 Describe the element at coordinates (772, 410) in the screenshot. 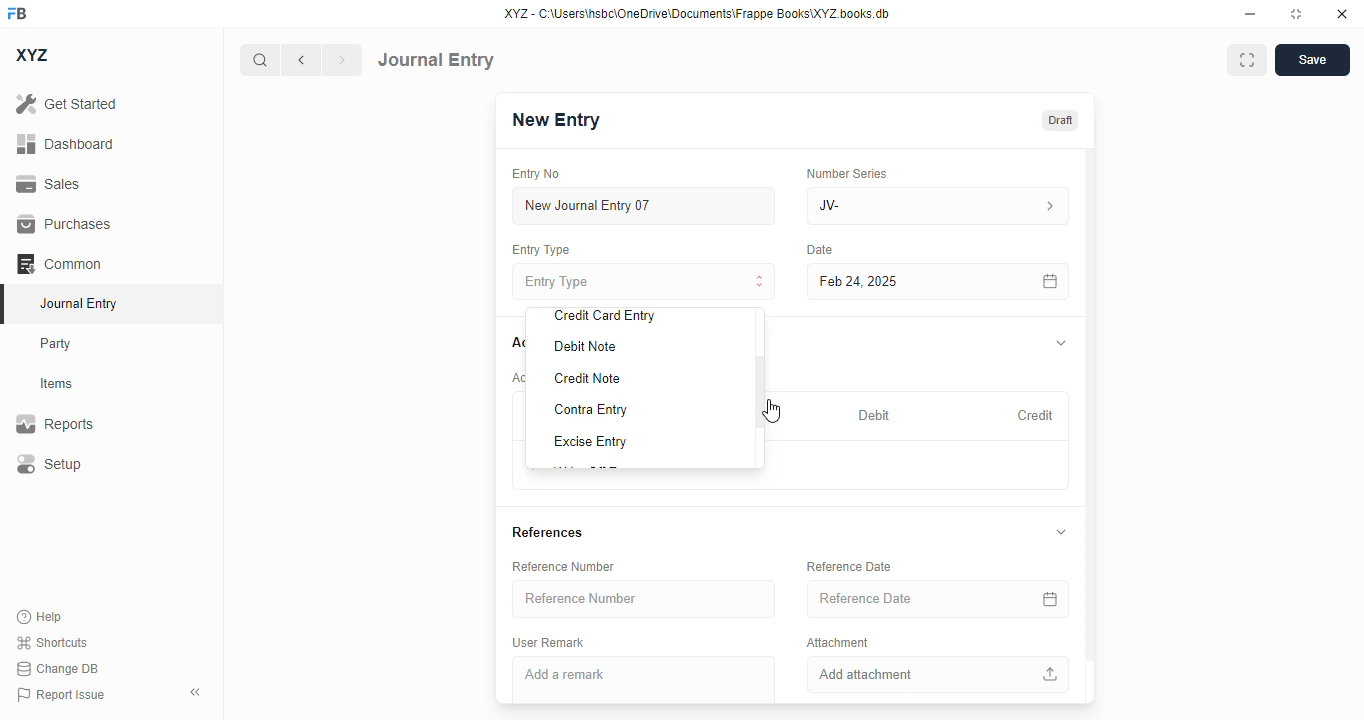

I see `cursor - mouse up` at that location.